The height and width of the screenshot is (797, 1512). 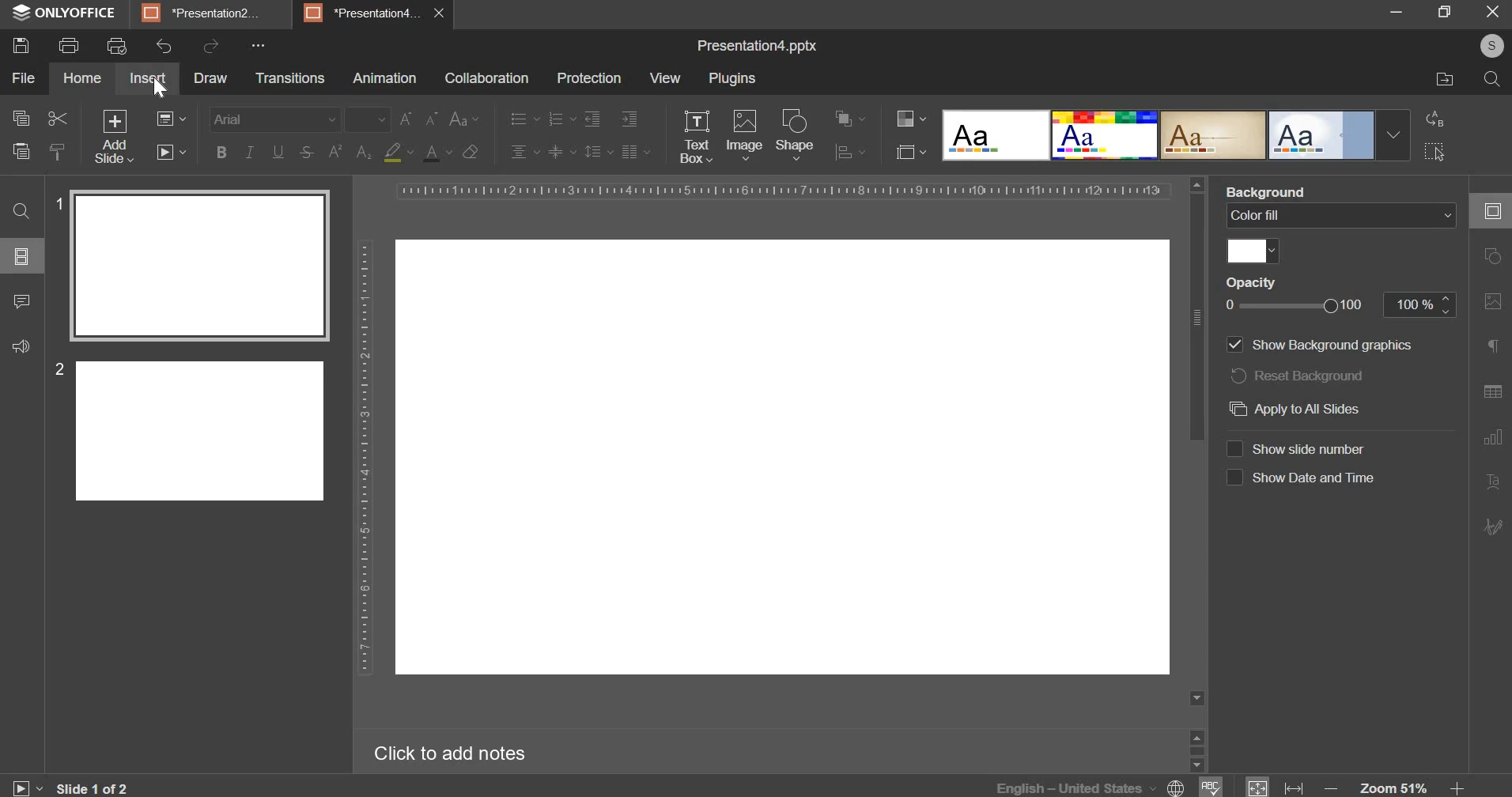 What do you see at coordinates (588, 79) in the screenshot?
I see `protection` at bounding box center [588, 79].